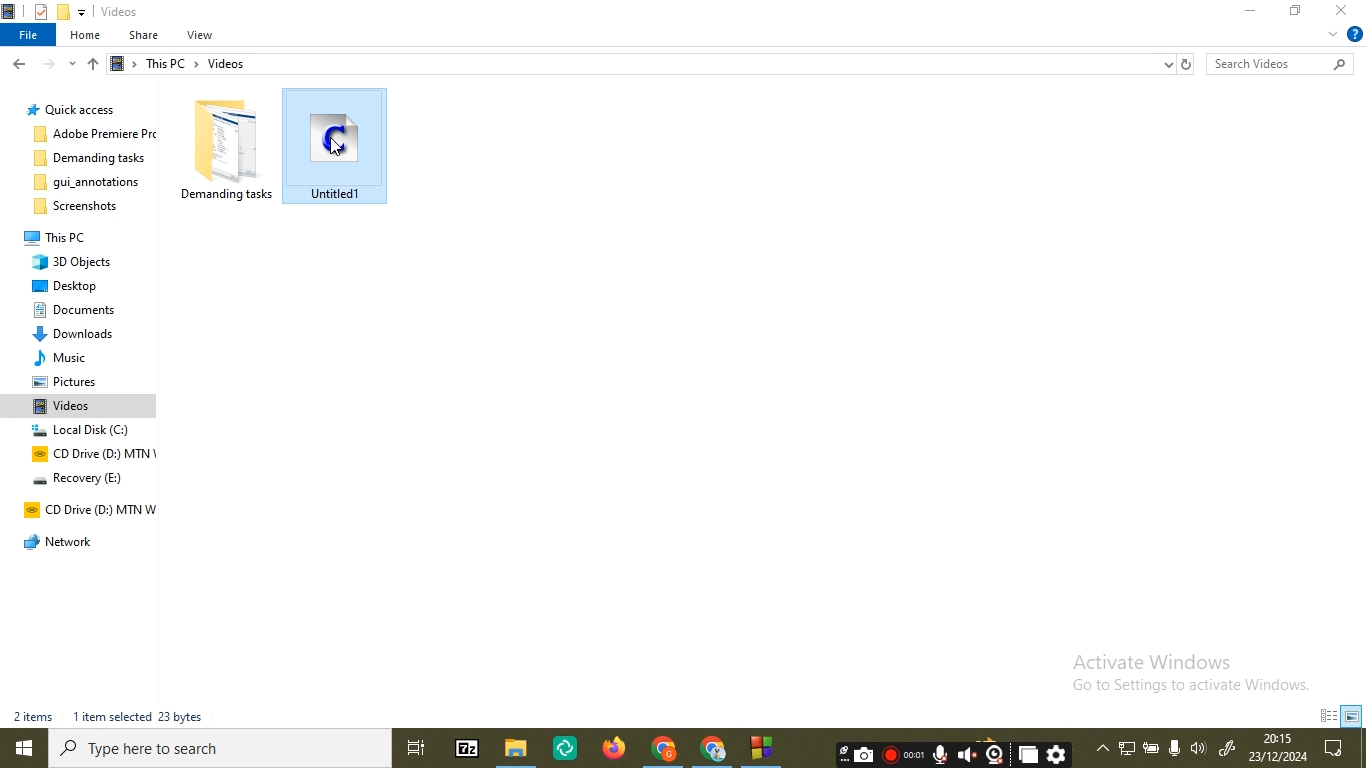  What do you see at coordinates (649, 62) in the screenshot?
I see `file path` at bounding box center [649, 62].